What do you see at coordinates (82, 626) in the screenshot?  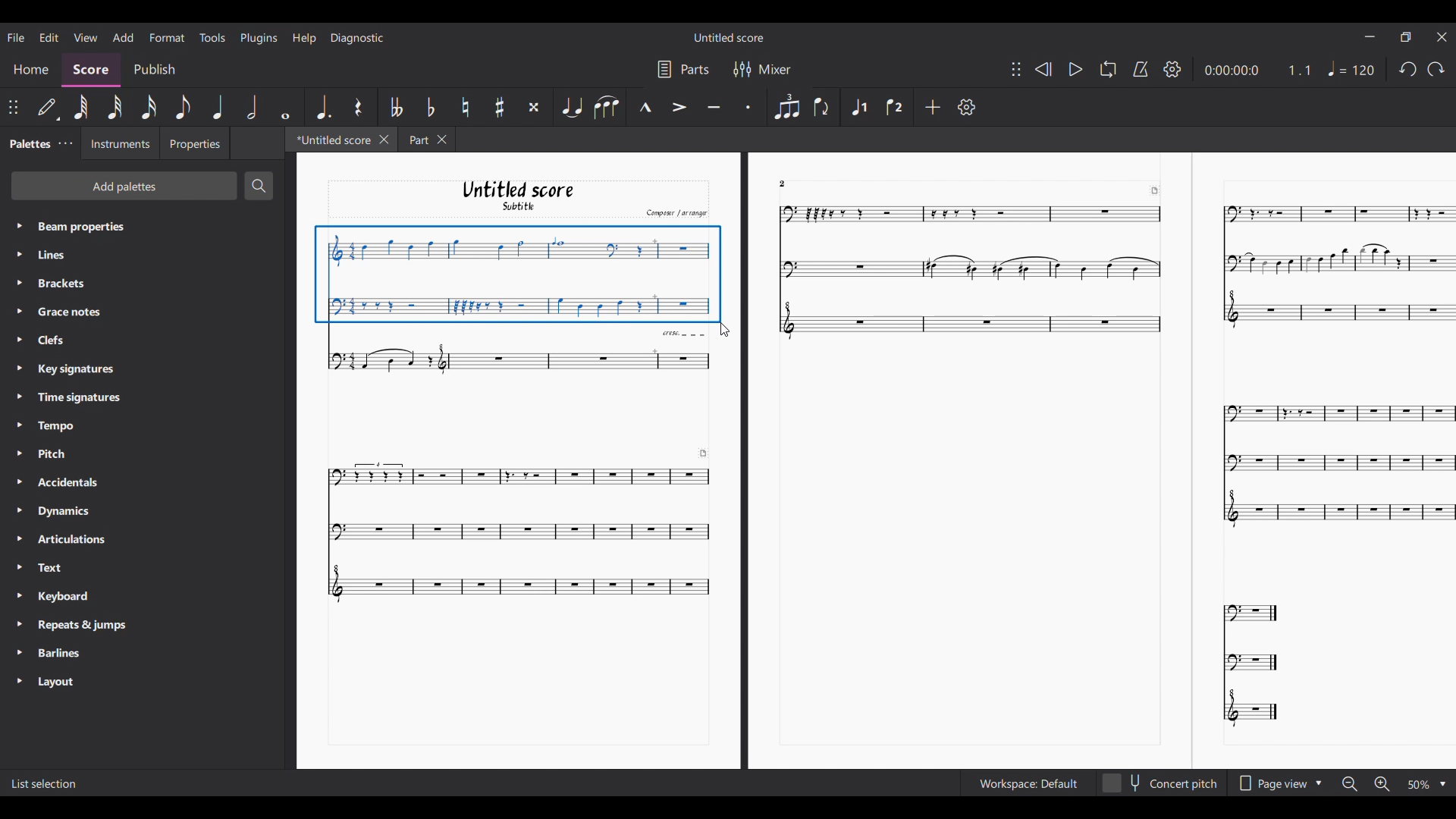 I see `Repeats & Jumps` at bounding box center [82, 626].